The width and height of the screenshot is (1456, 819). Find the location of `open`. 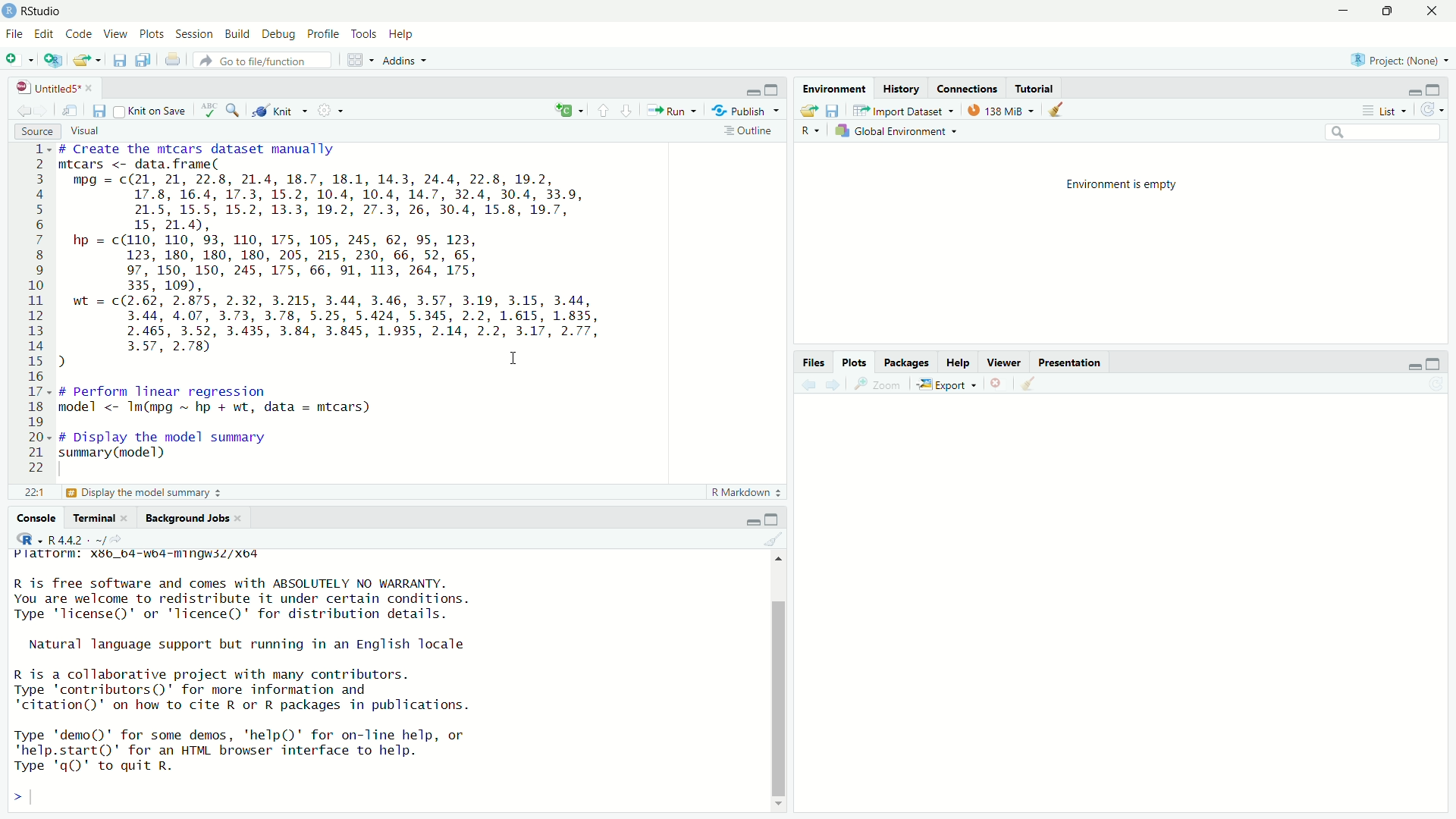

open is located at coordinates (808, 111).